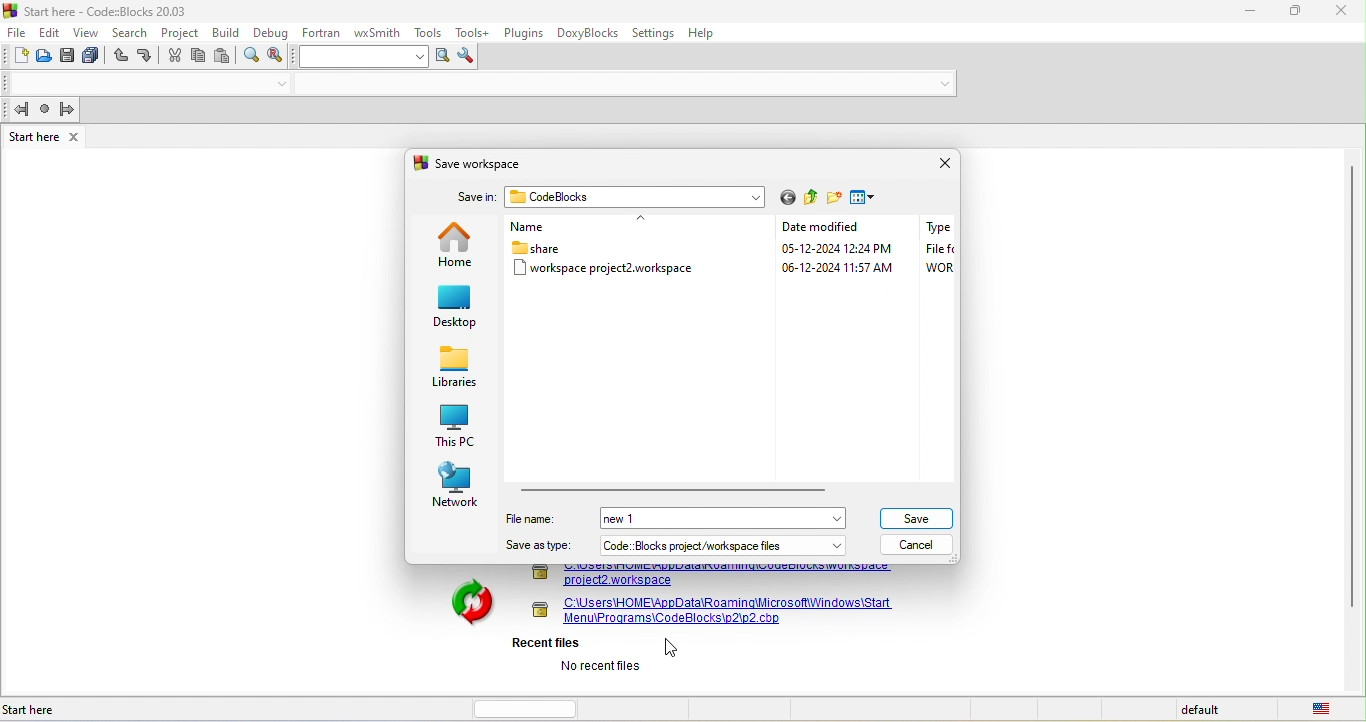 The image size is (1366, 722). I want to click on maximize, so click(1298, 13).